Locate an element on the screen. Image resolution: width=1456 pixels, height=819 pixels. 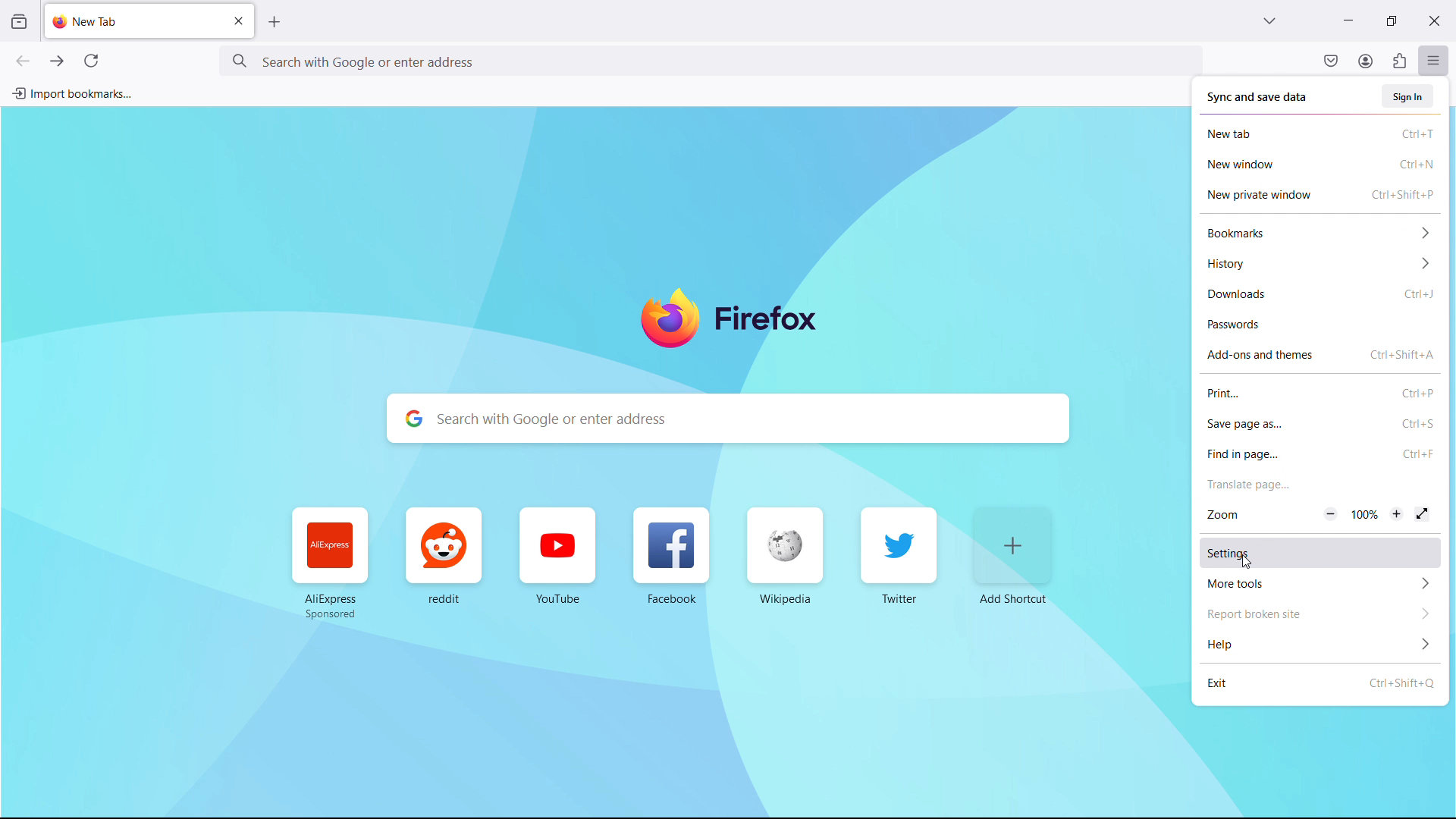
settings is located at coordinates (1319, 552).